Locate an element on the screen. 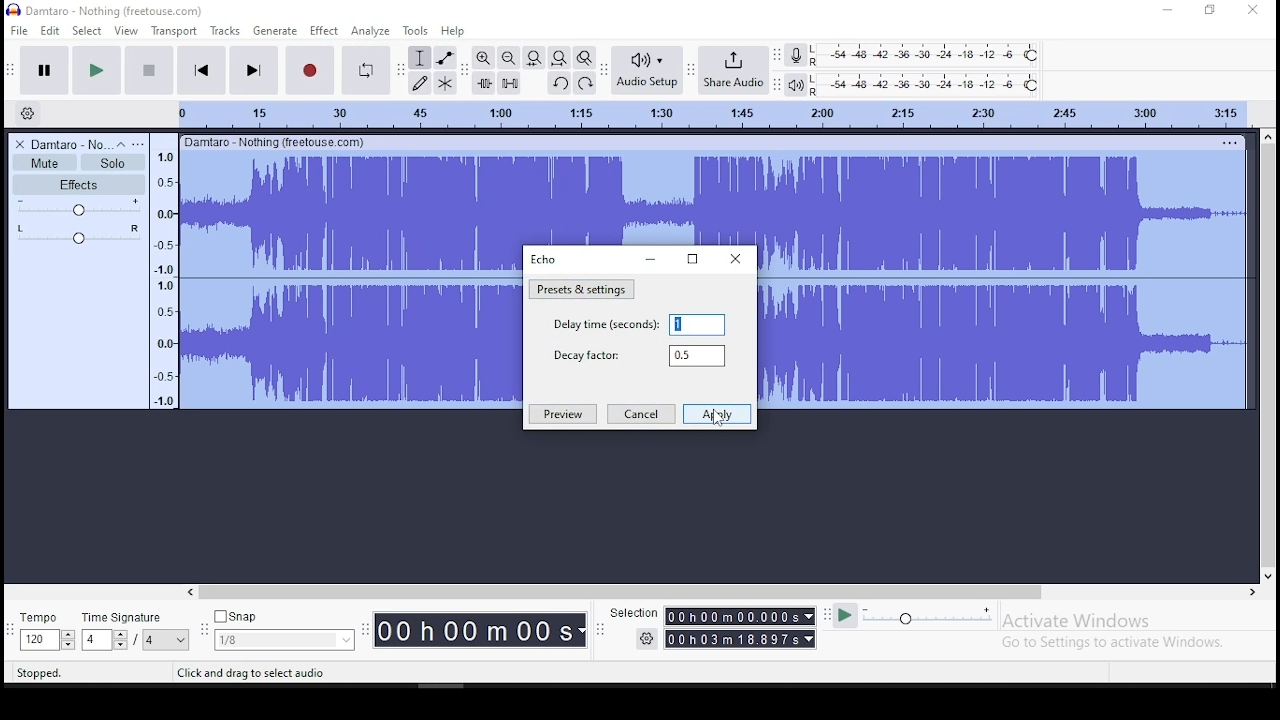  play is located at coordinates (97, 69).